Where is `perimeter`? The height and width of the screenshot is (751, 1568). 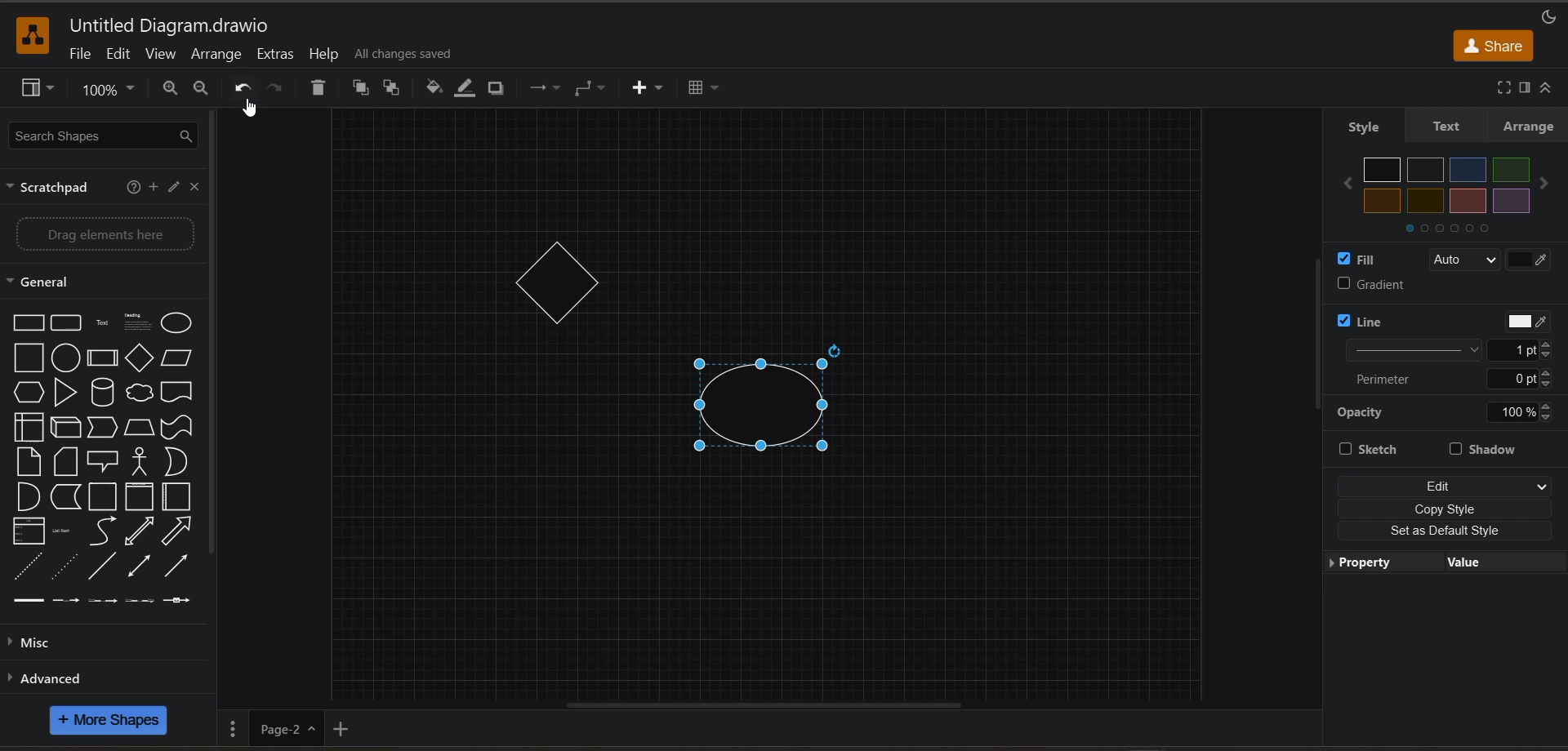 perimeter is located at coordinates (1453, 376).